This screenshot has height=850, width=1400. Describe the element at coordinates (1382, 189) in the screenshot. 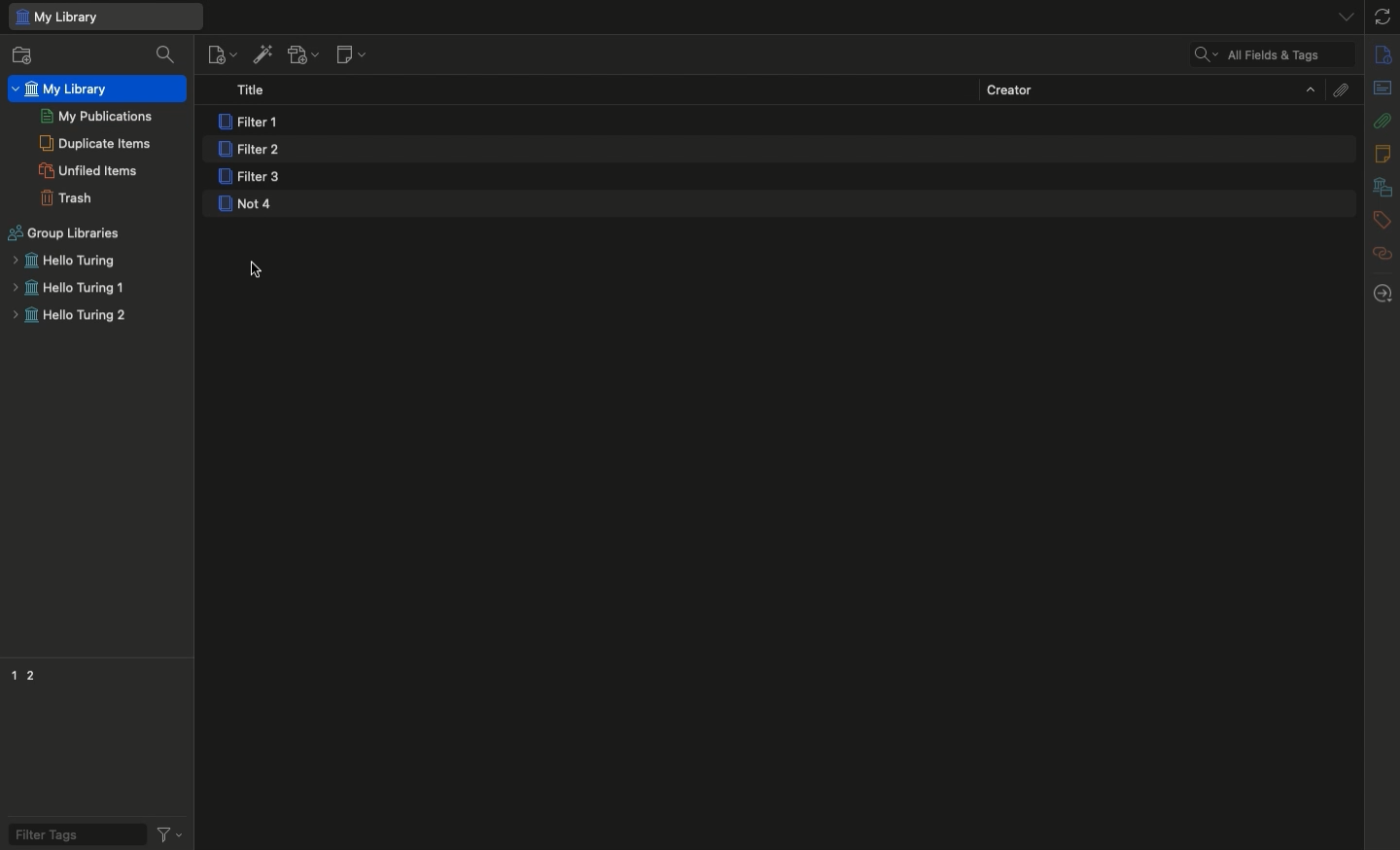

I see `Libraries and collections` at that location.